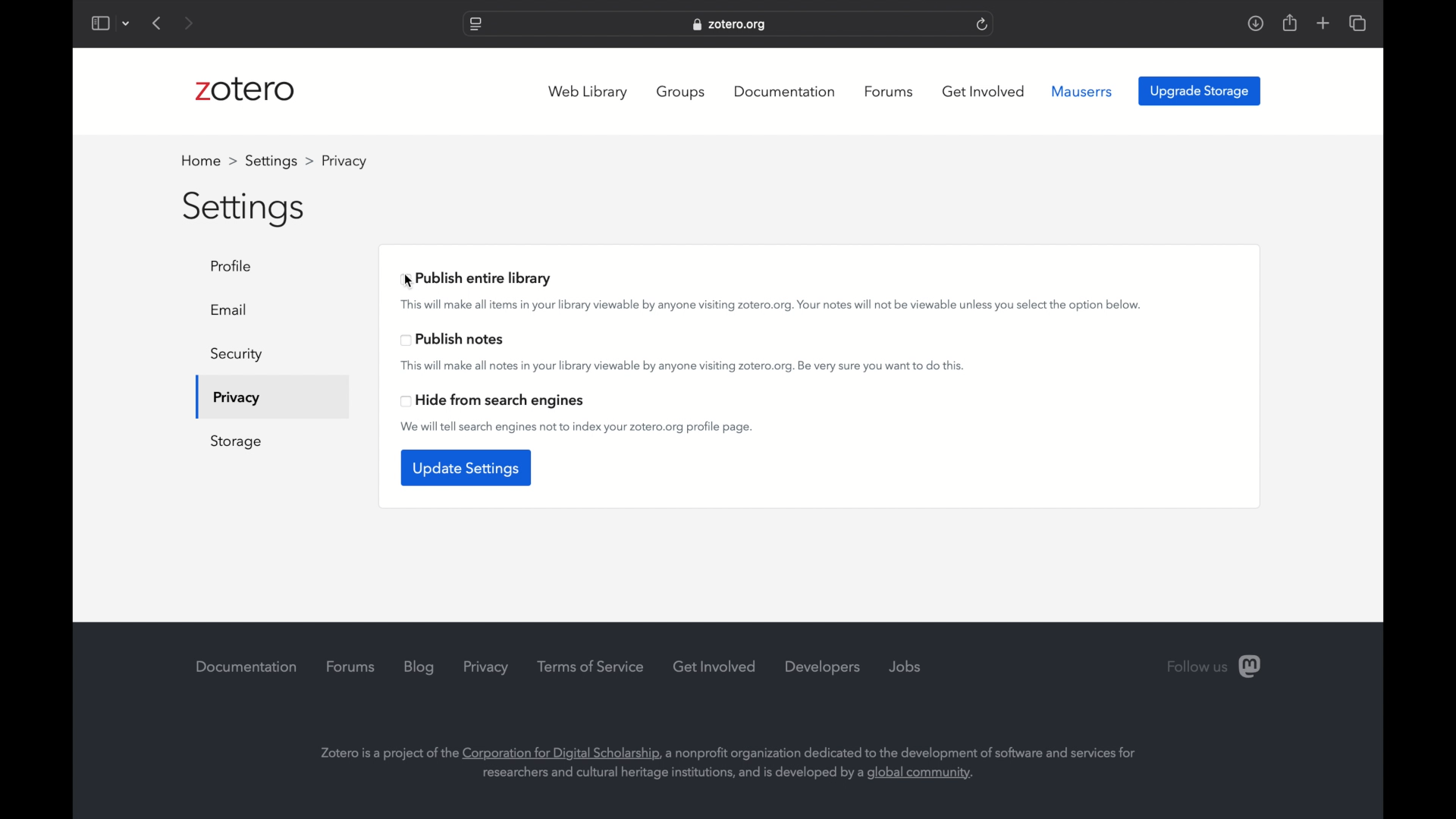  What do you see at coordinates (1256, 24) in the screenshot?
I see `download` at bounding box center [1256, 24].